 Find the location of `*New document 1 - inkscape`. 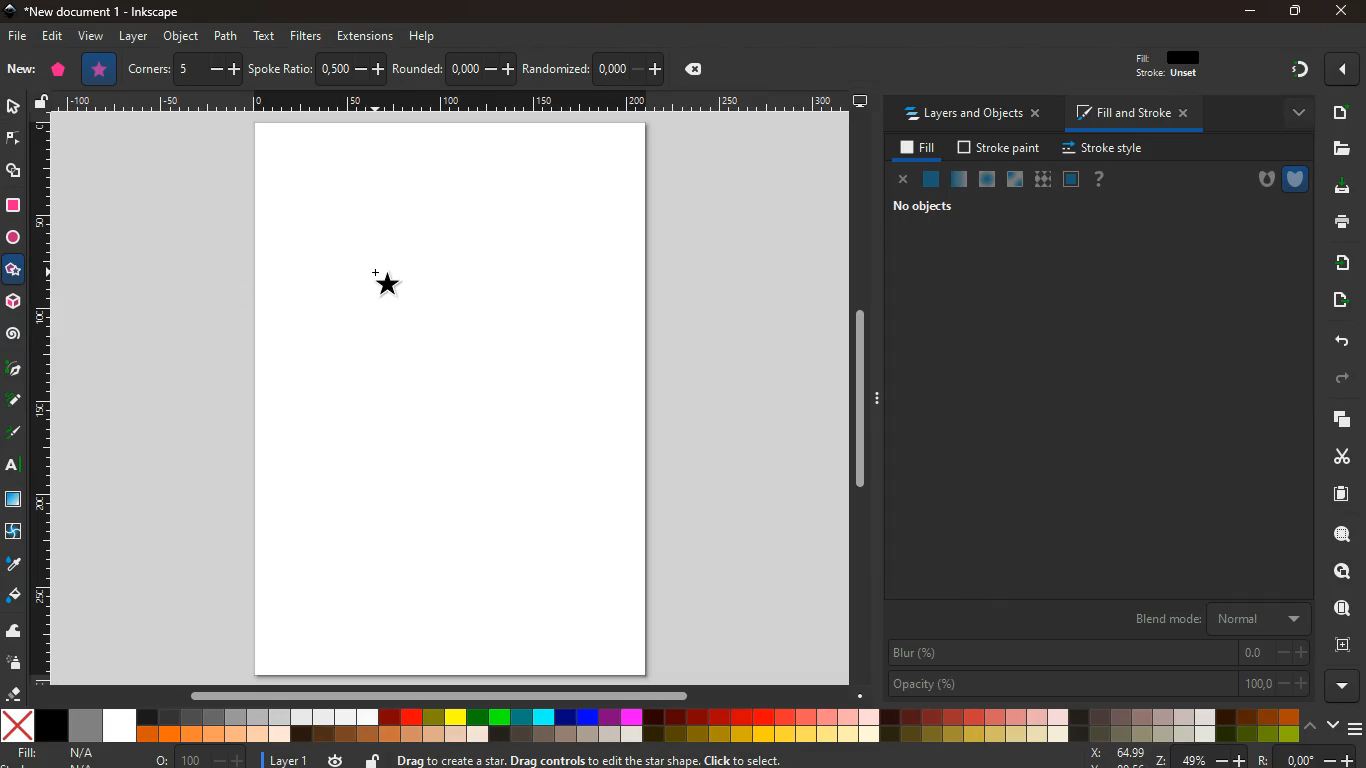

*New document 1 - inkscape is located at coordinates (102, 12).